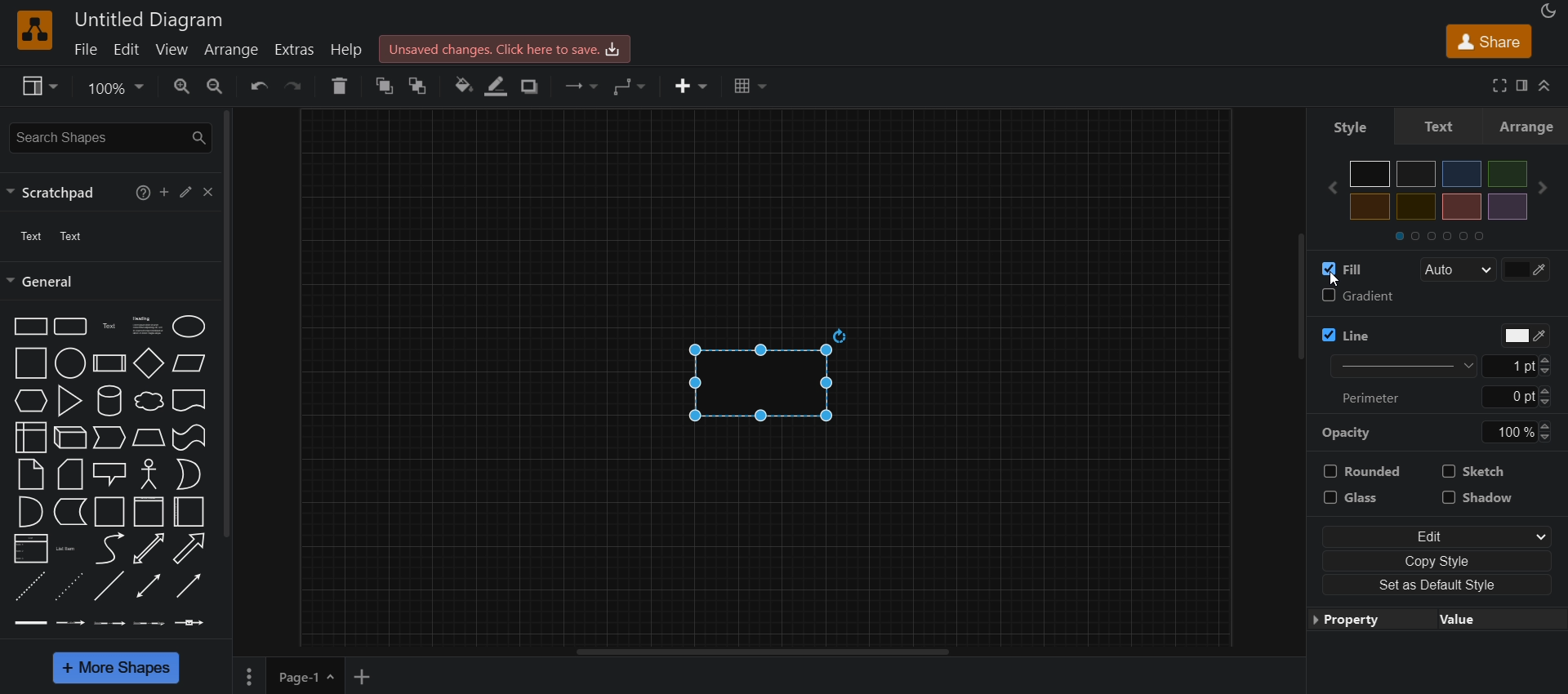  I want to click on cylinder, so click(109, 402).